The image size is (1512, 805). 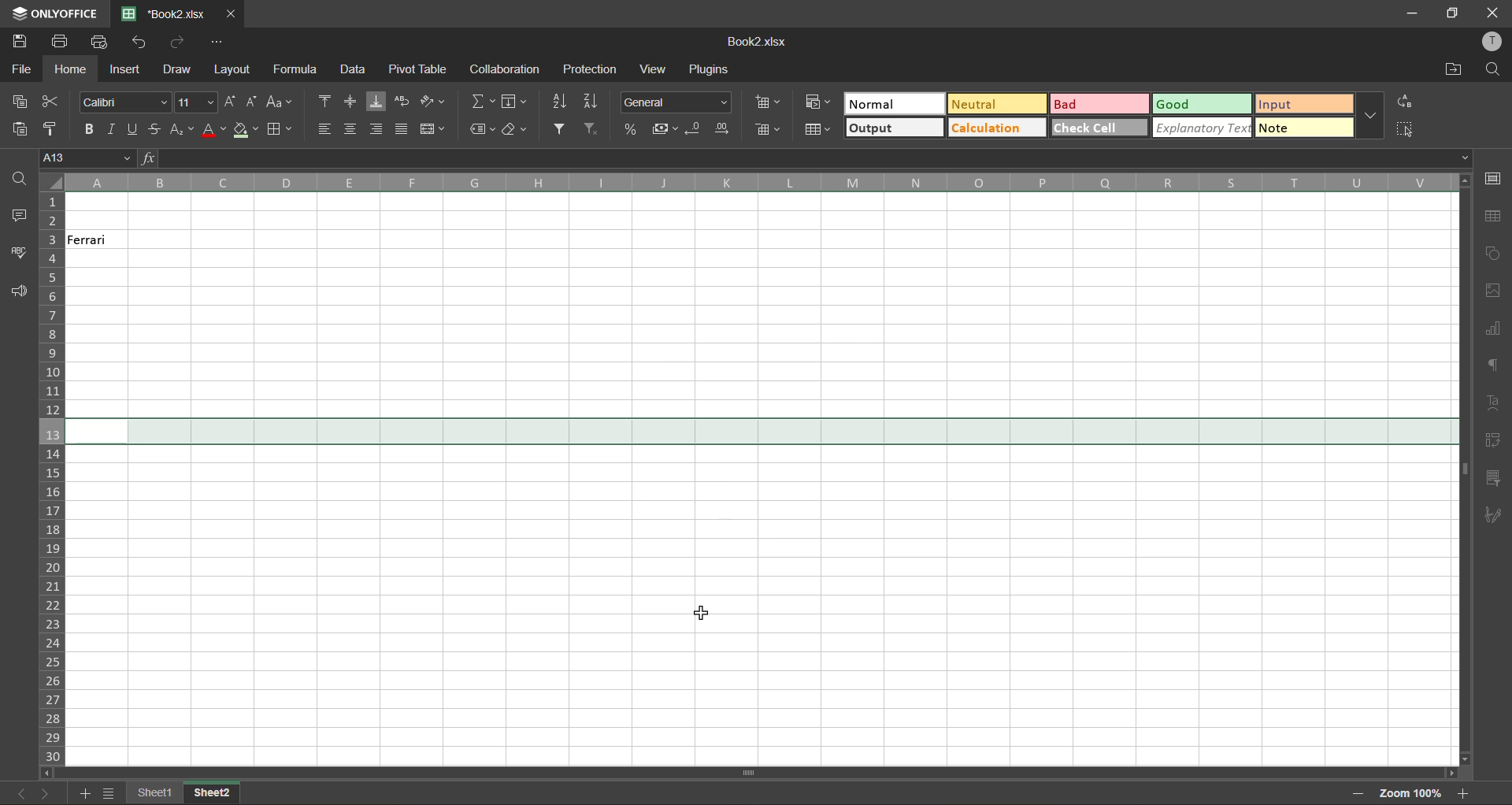 What do you see at coordinates (87, 159) in the screenshot?
I see `cell address` at bounding box center [87, 159].